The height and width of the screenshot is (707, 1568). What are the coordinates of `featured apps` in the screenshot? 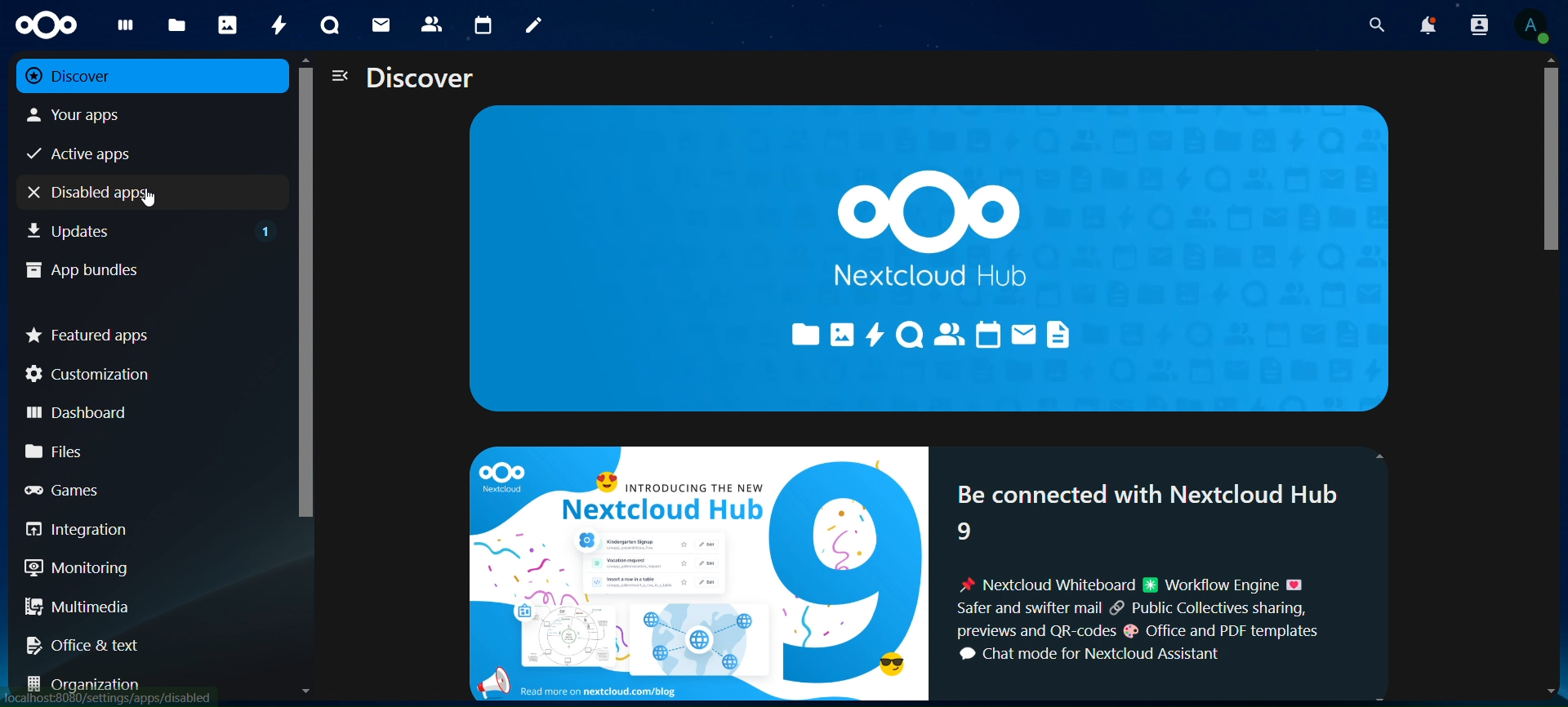 It's located at (145, 332).